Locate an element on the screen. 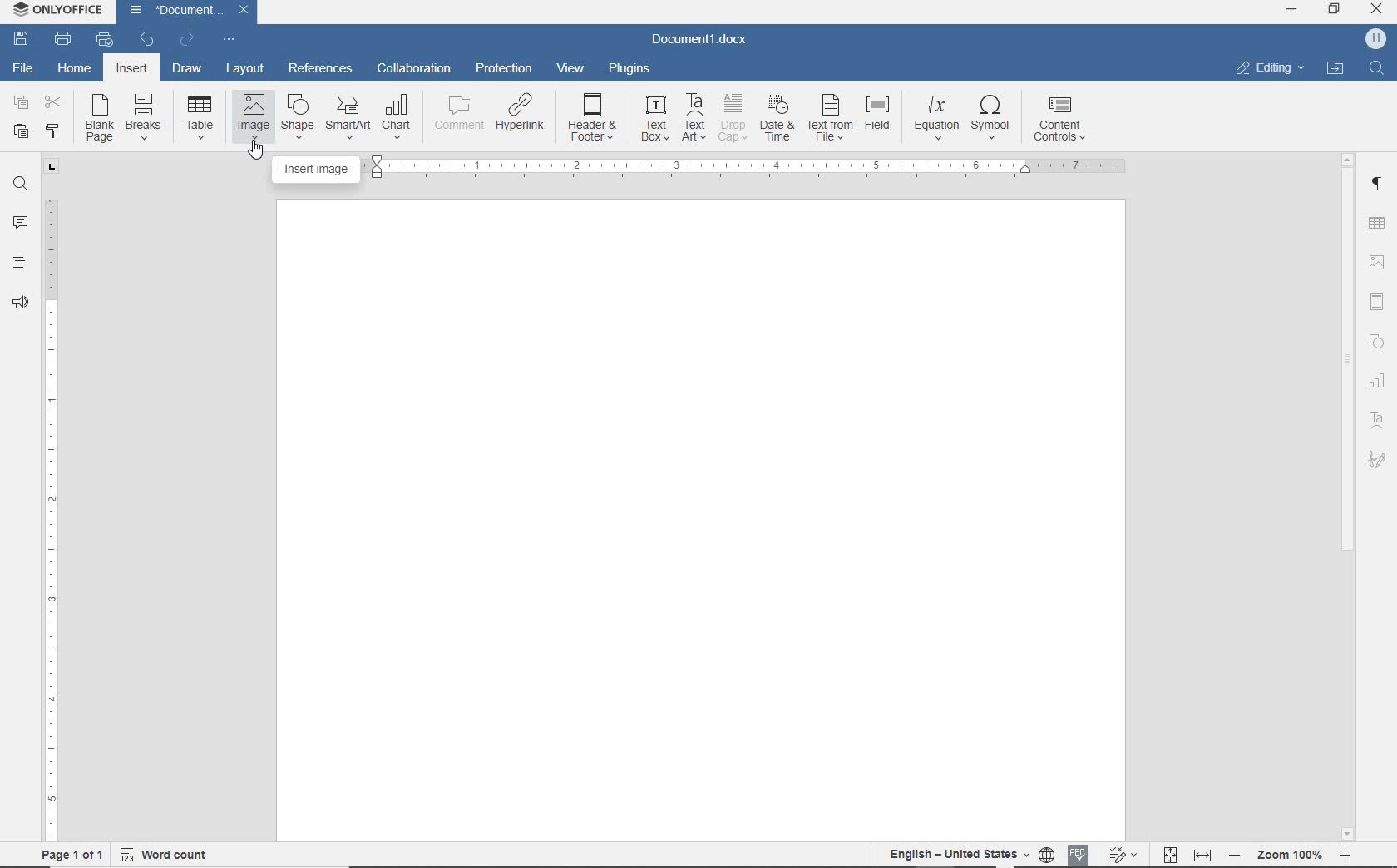 Image resolution: width=1397 pixels, height=868 pixels. ruler is located at coordinates (55, 501).